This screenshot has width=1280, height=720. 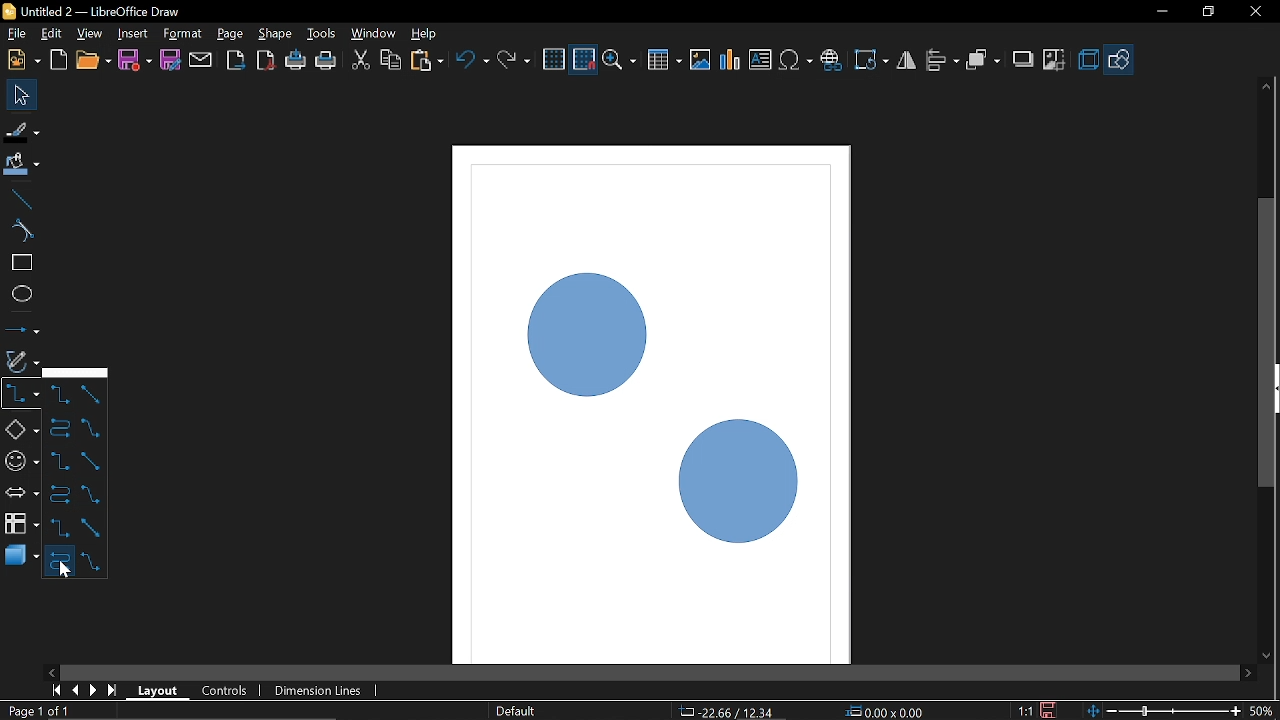 What do you see at coordinates (1026, 710) in the screenshot?
I see `Scaling factor` at bounding box center [1026, 710].